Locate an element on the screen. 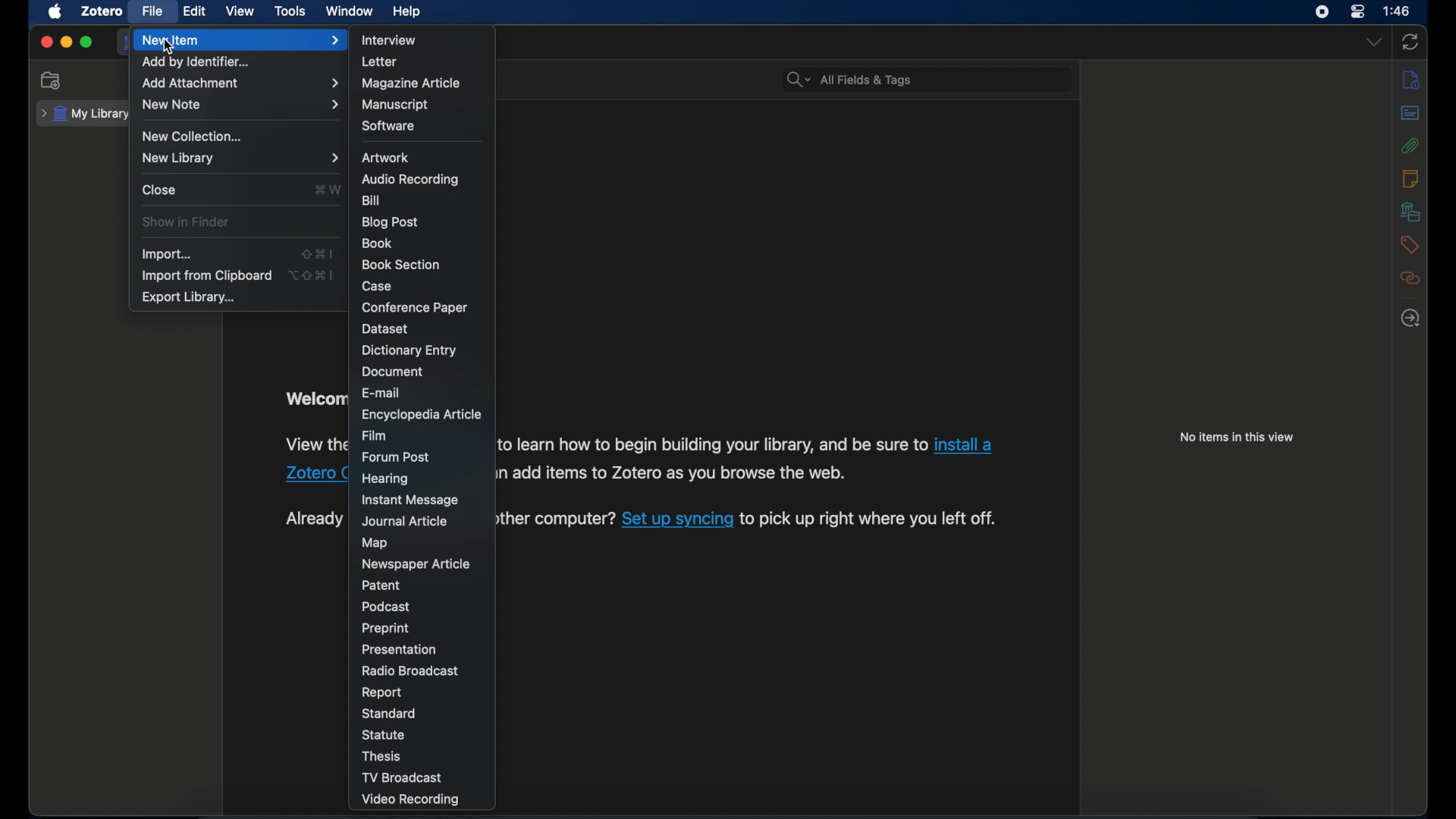 This screenshot has width=1456, height=819. add attachment is located at coordinates (240, 83).